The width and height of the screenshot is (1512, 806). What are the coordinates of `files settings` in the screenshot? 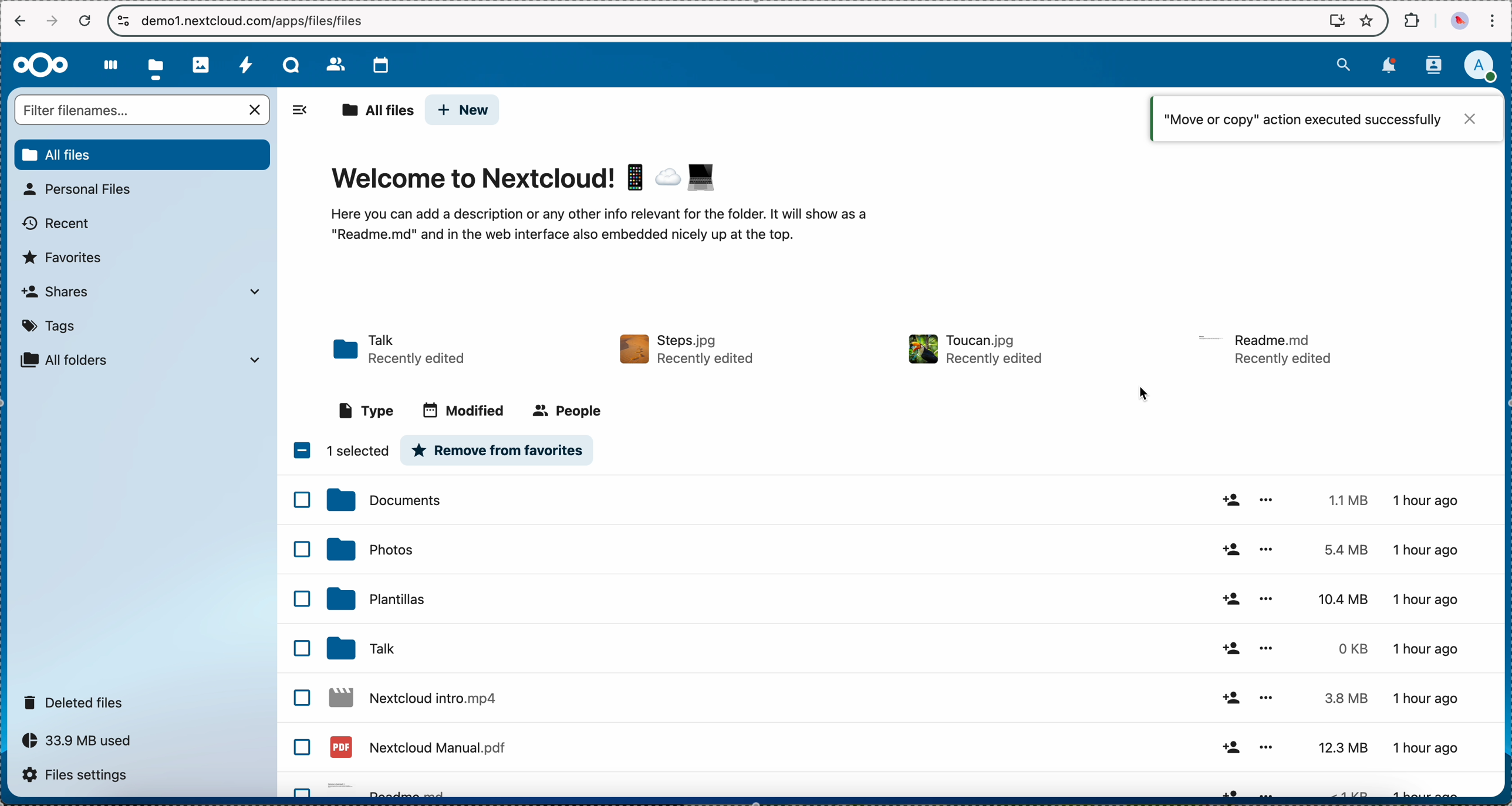 It's located at (78, 775).